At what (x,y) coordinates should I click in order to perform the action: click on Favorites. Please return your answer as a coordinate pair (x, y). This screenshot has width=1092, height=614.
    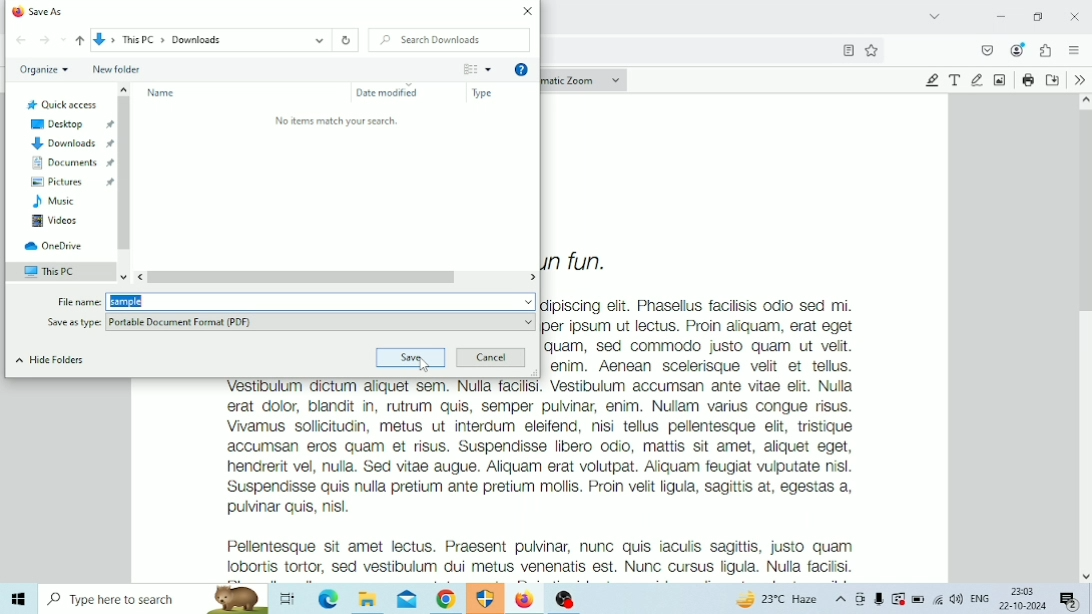
    Looking at the image, I should click on (872, 50).